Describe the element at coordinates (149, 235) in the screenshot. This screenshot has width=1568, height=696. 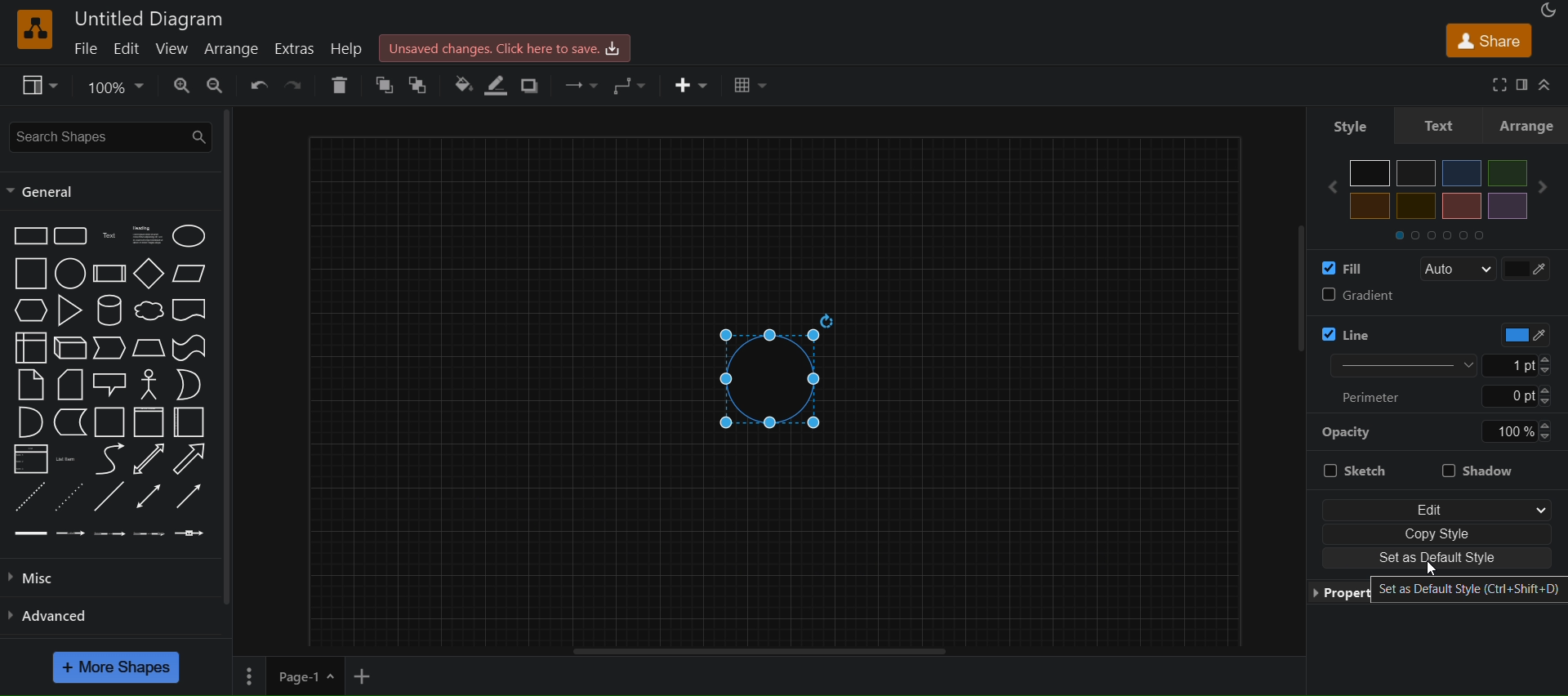
I see `heading` at that location.